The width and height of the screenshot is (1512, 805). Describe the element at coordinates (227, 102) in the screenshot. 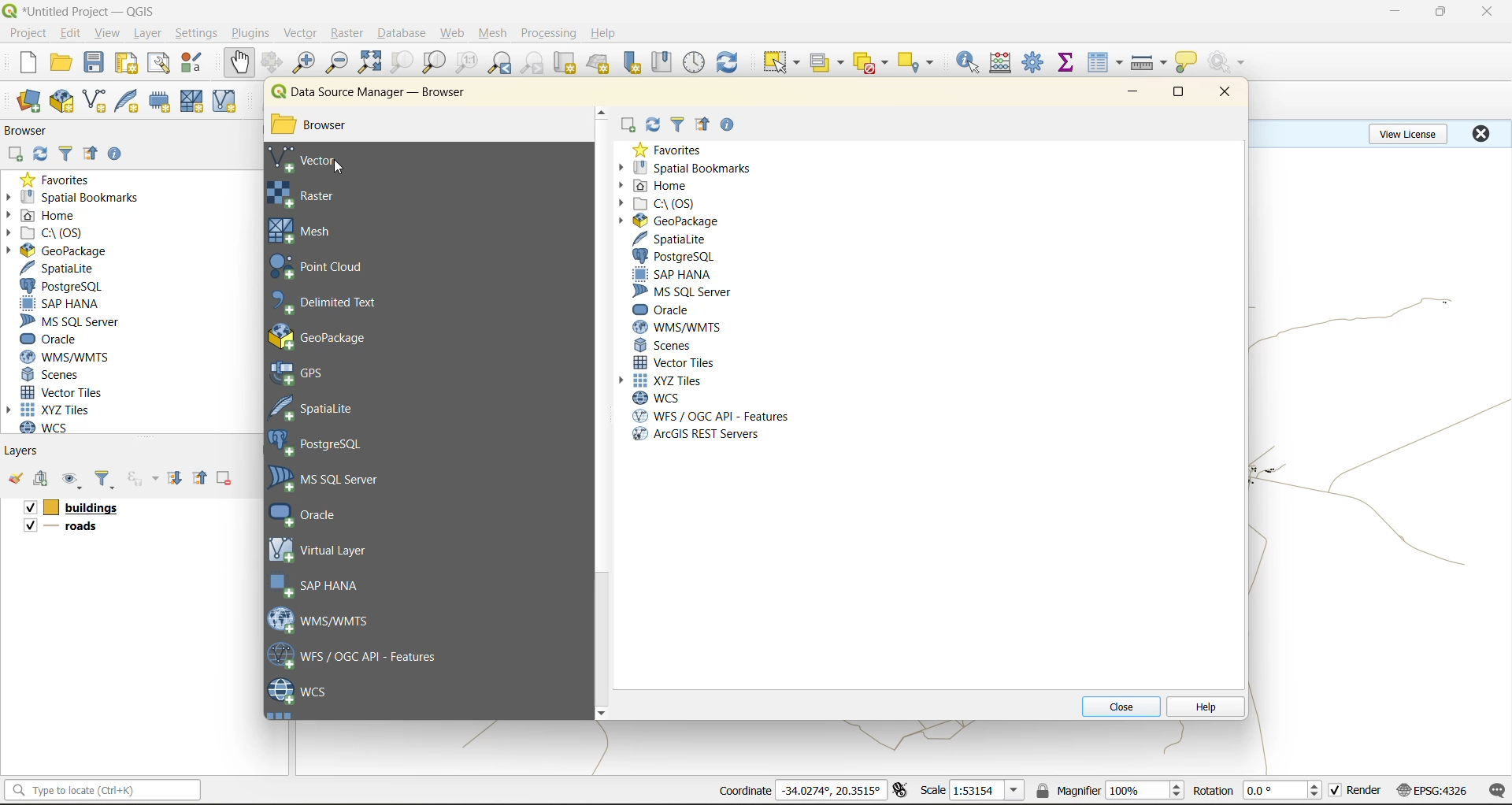

I see `new virtual layer` at that location.